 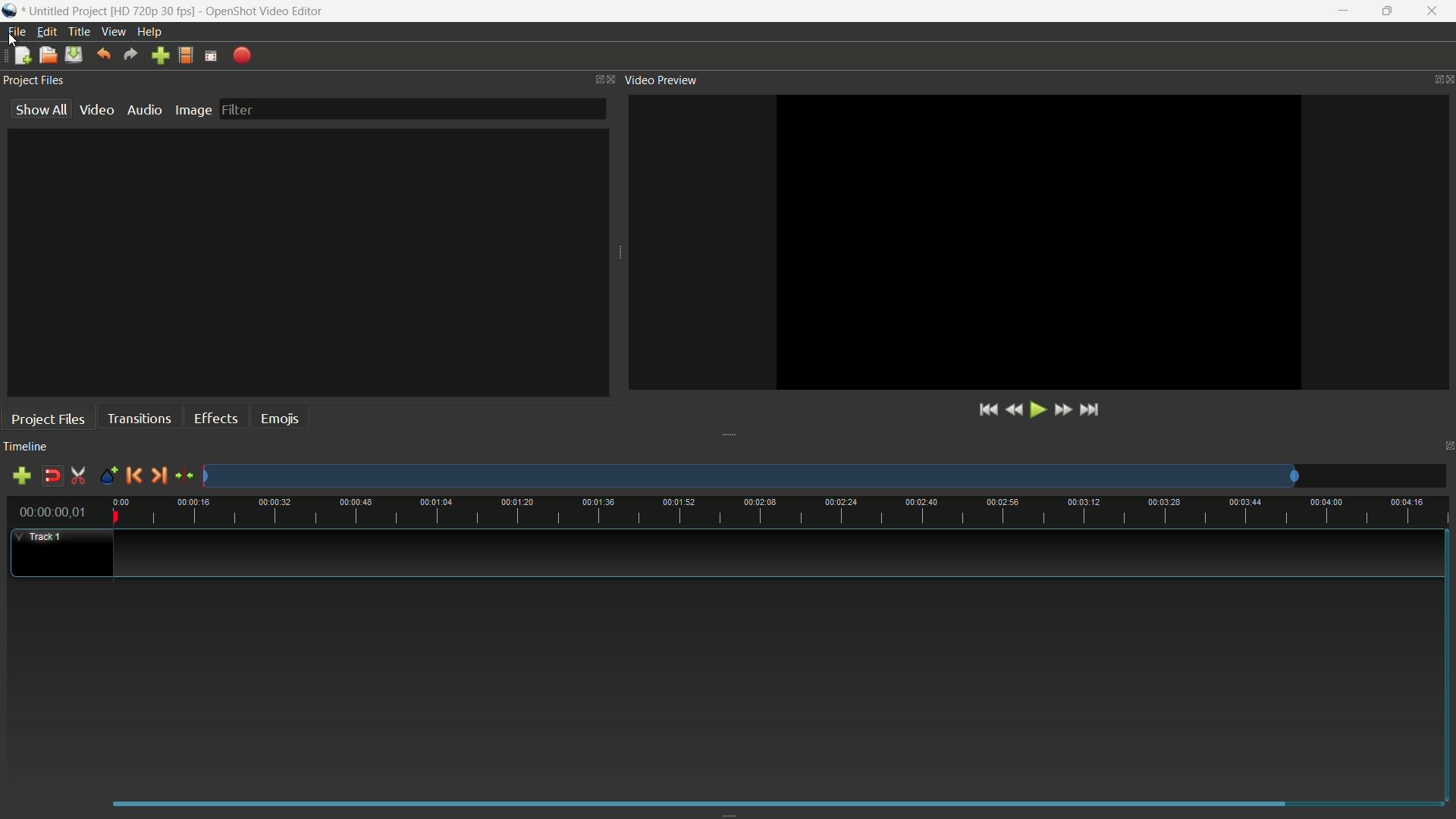 I want to click on audio, so click(x=144, y=110).